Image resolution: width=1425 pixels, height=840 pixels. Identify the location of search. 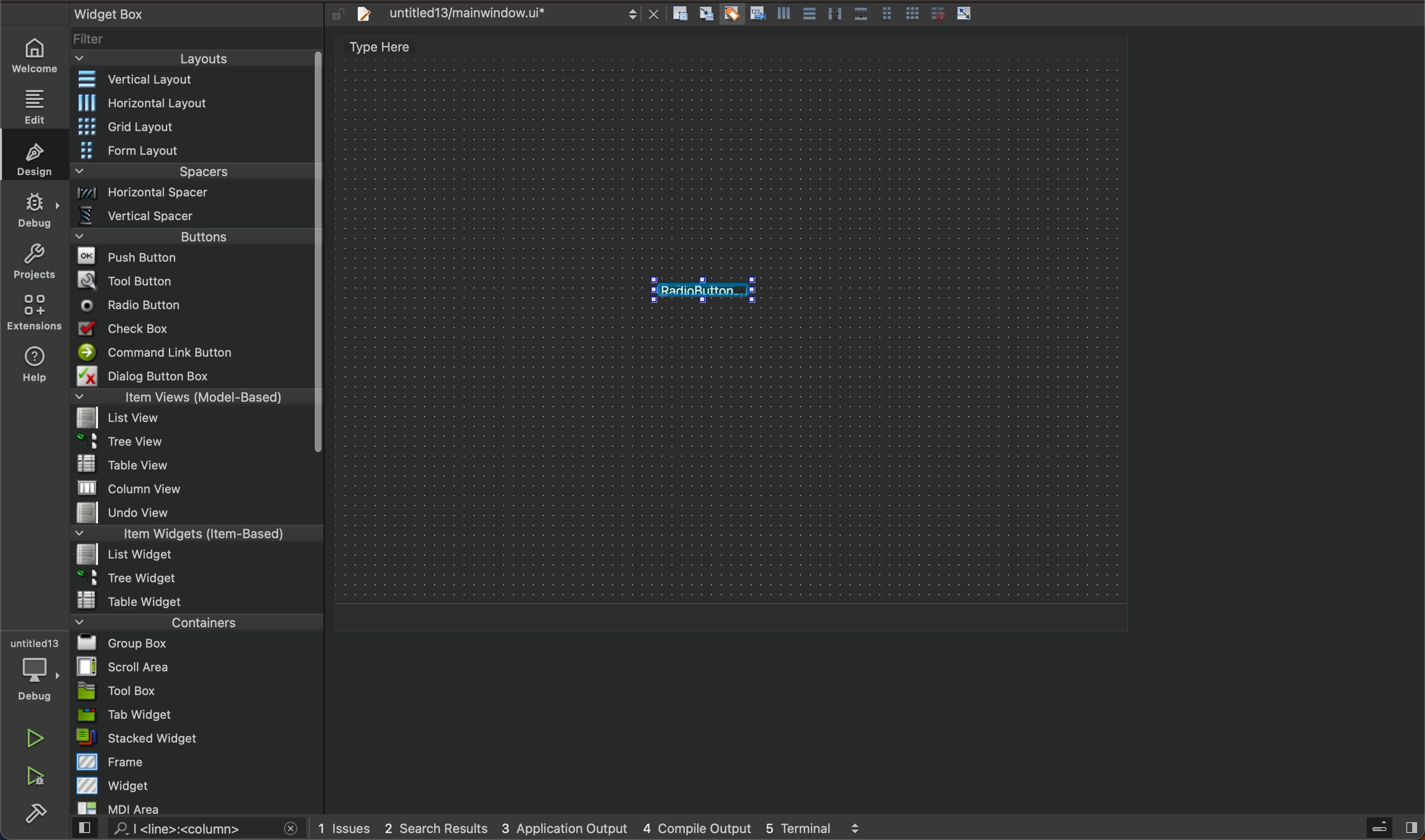
(183, 829).